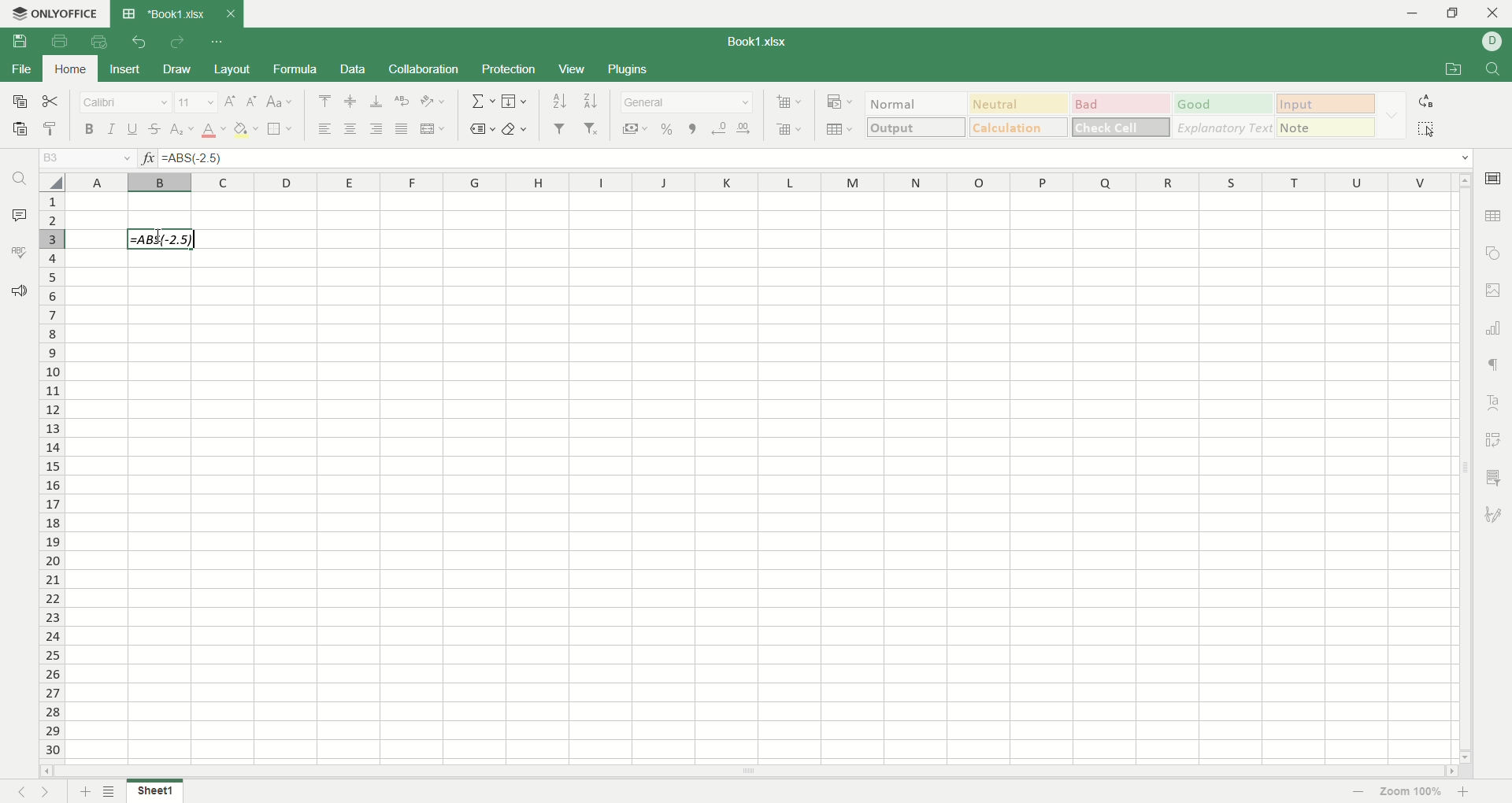  What do you see at coordinates (571, 70) in the screenshot?
I see `` at bounding box center [571, 70].